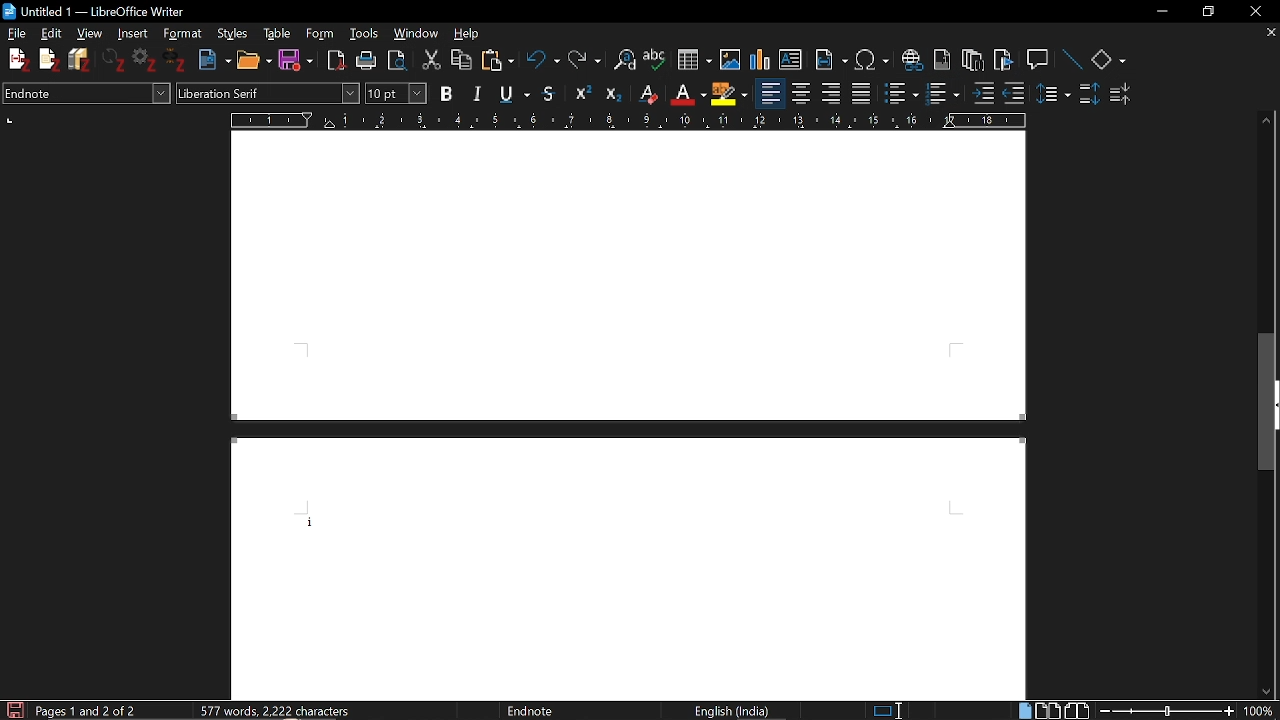 The height and width of the screenshot is (720, 1280). What do you see at coordinates (1090, 96) in the screenshot?
I see `Increase paragraph spacing` at bounding box center [1090, 96].